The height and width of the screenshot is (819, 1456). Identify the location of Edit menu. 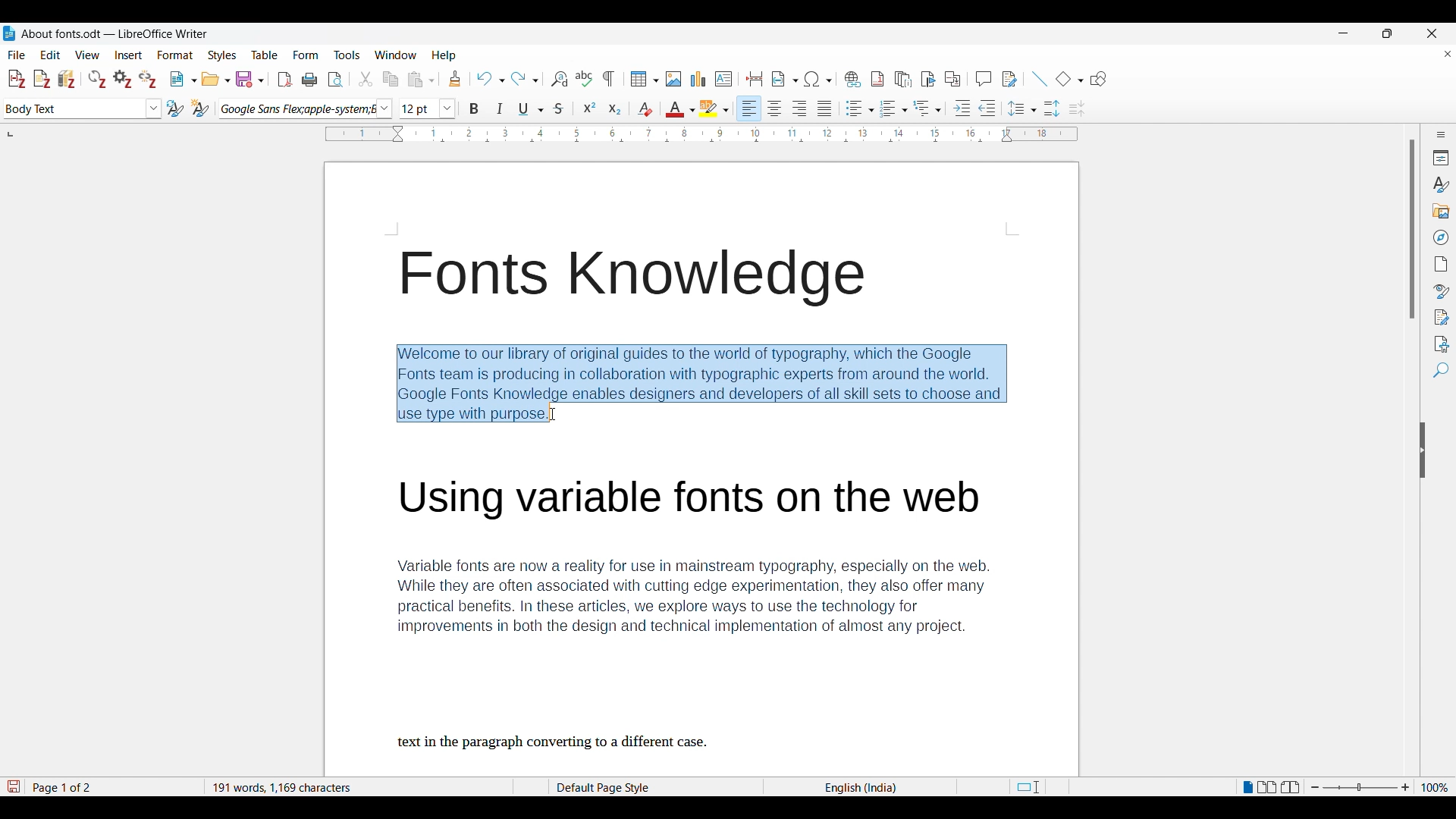
(50, 55).